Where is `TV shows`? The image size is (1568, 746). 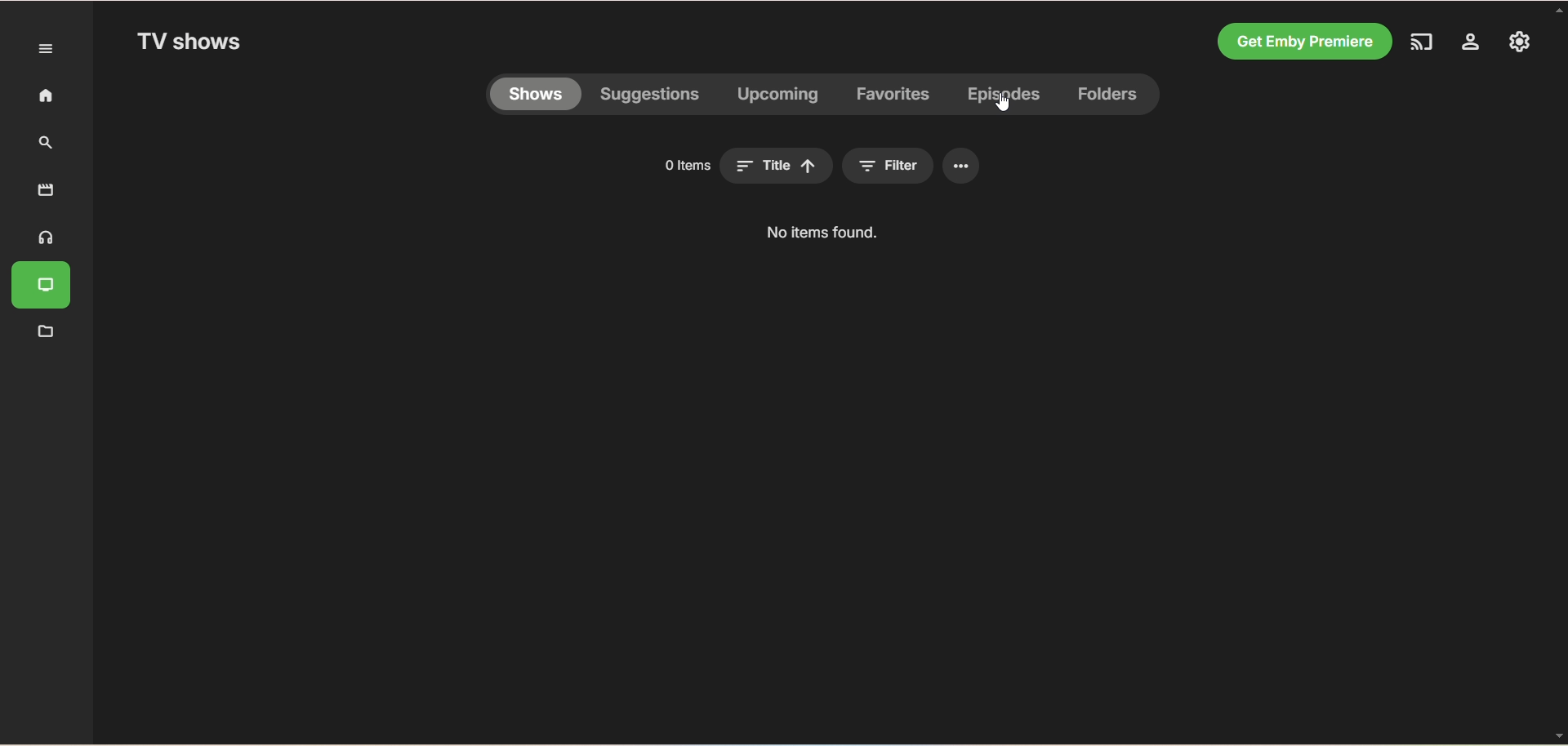 TV shows is located at coordinates (192, 43).